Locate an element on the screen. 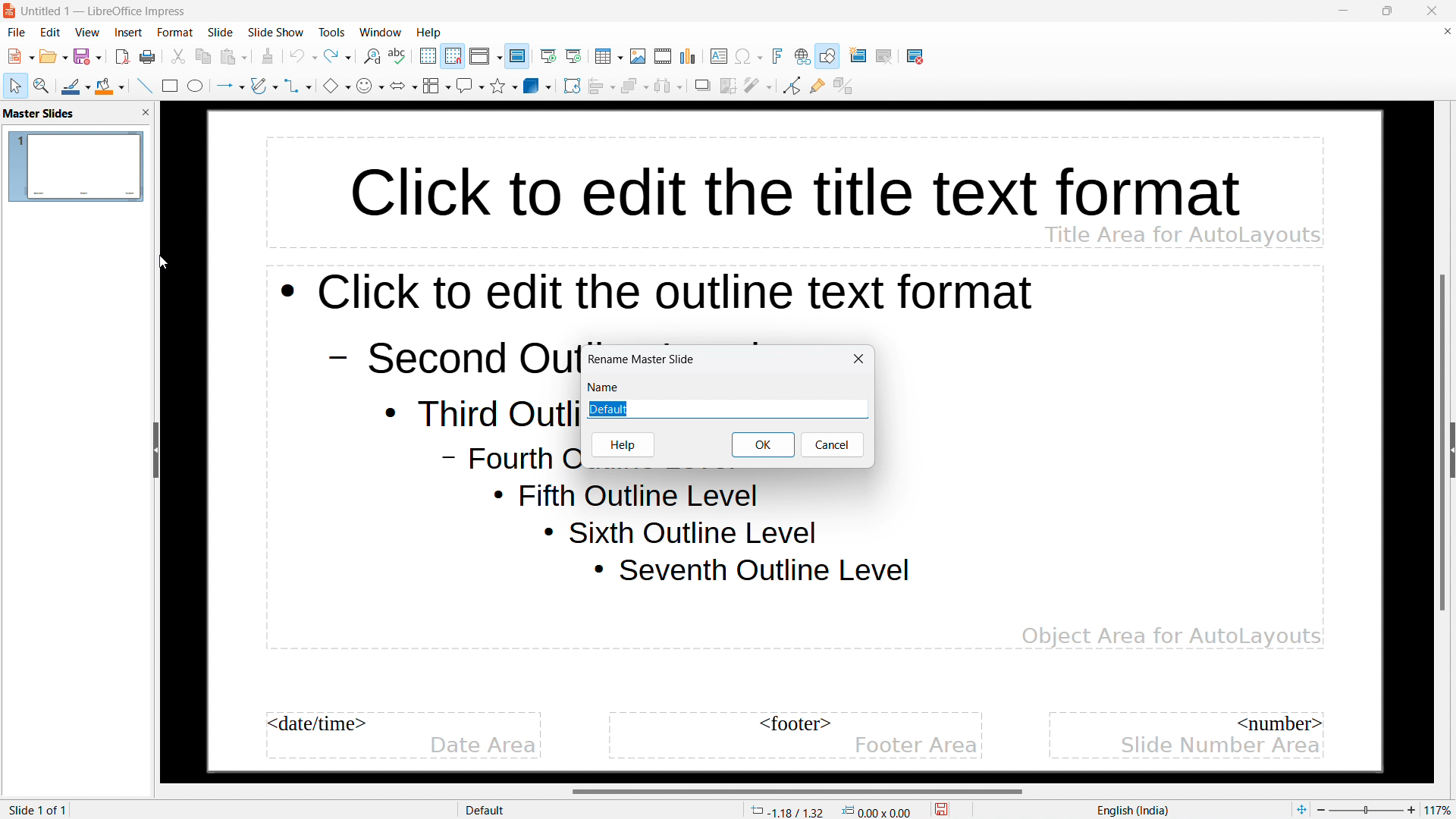 The image size is (1456, 819). window is located at coordinates (381, 33).